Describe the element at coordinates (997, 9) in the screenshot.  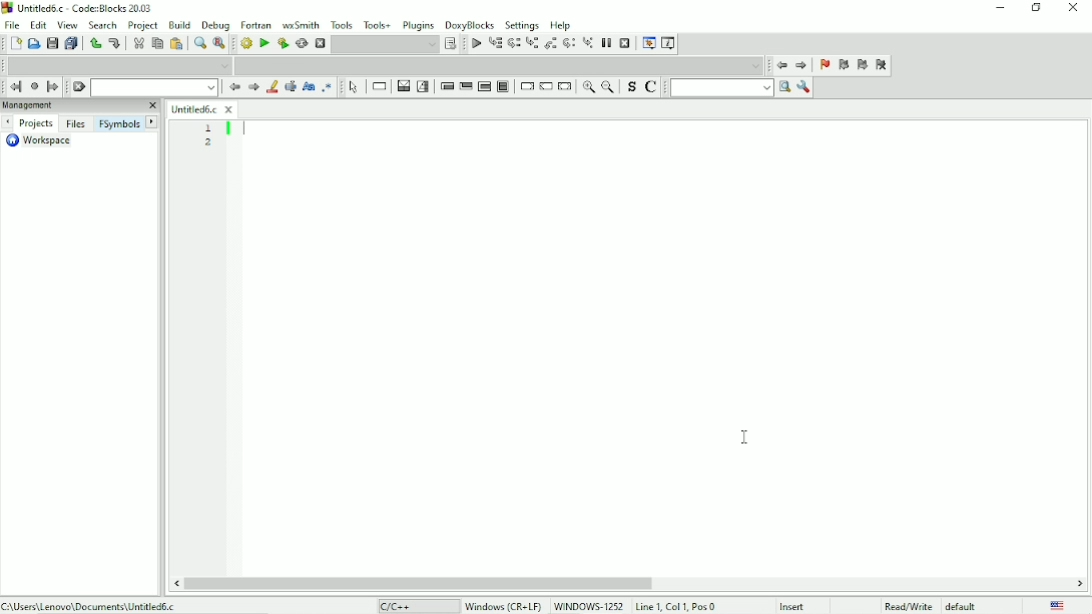
I see `Minimize` at that location.